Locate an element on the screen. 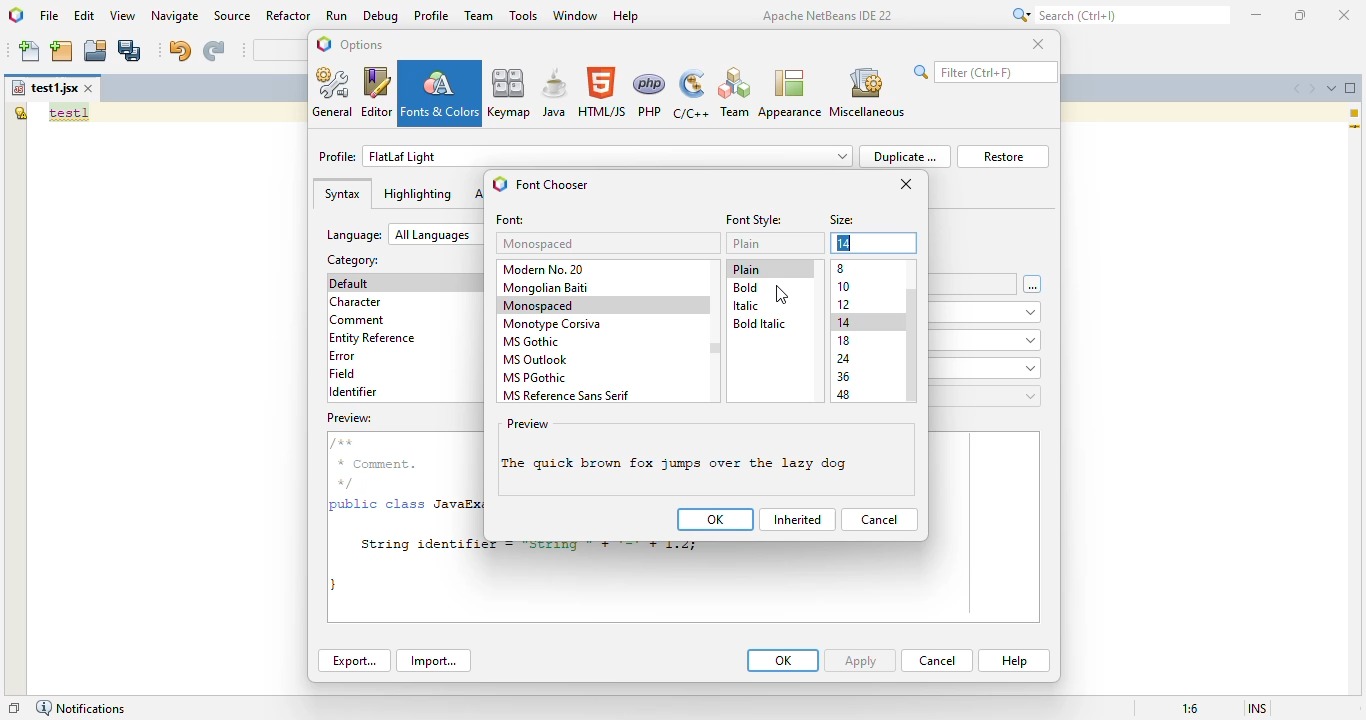  Team is located at coordinates (734, 93).